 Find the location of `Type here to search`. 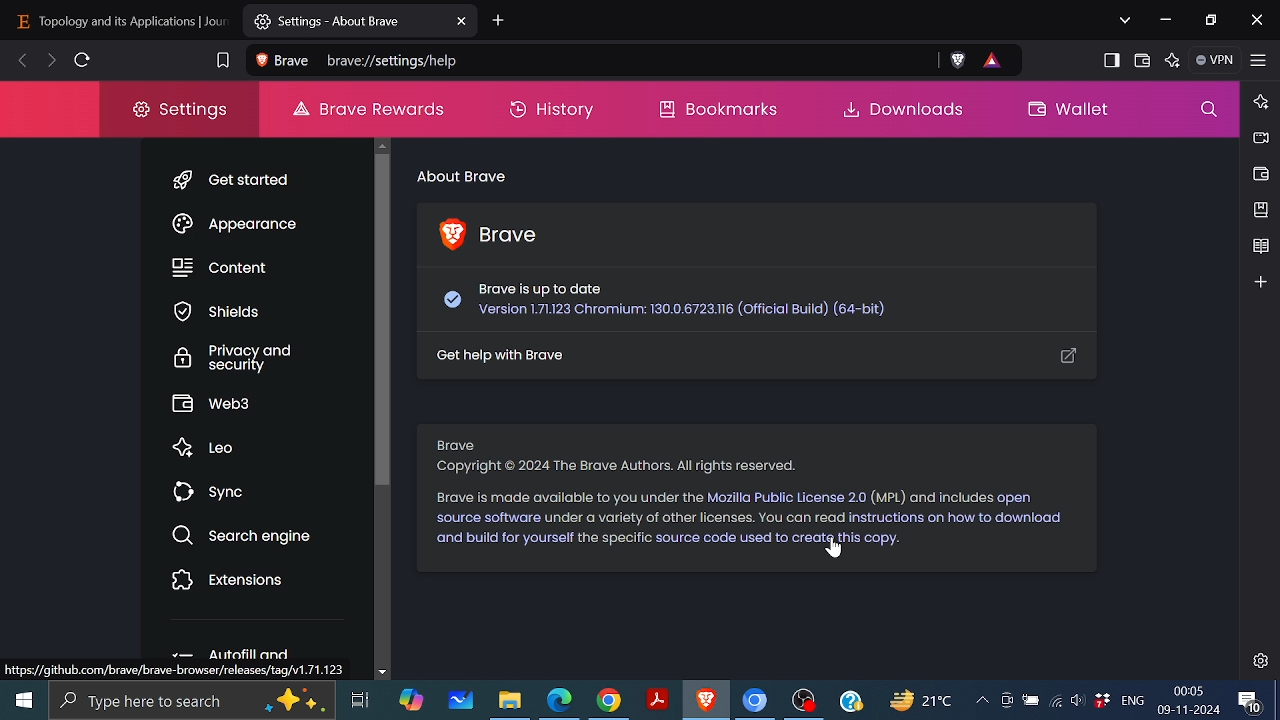

Type here to search is located at coordinates (194, 700).